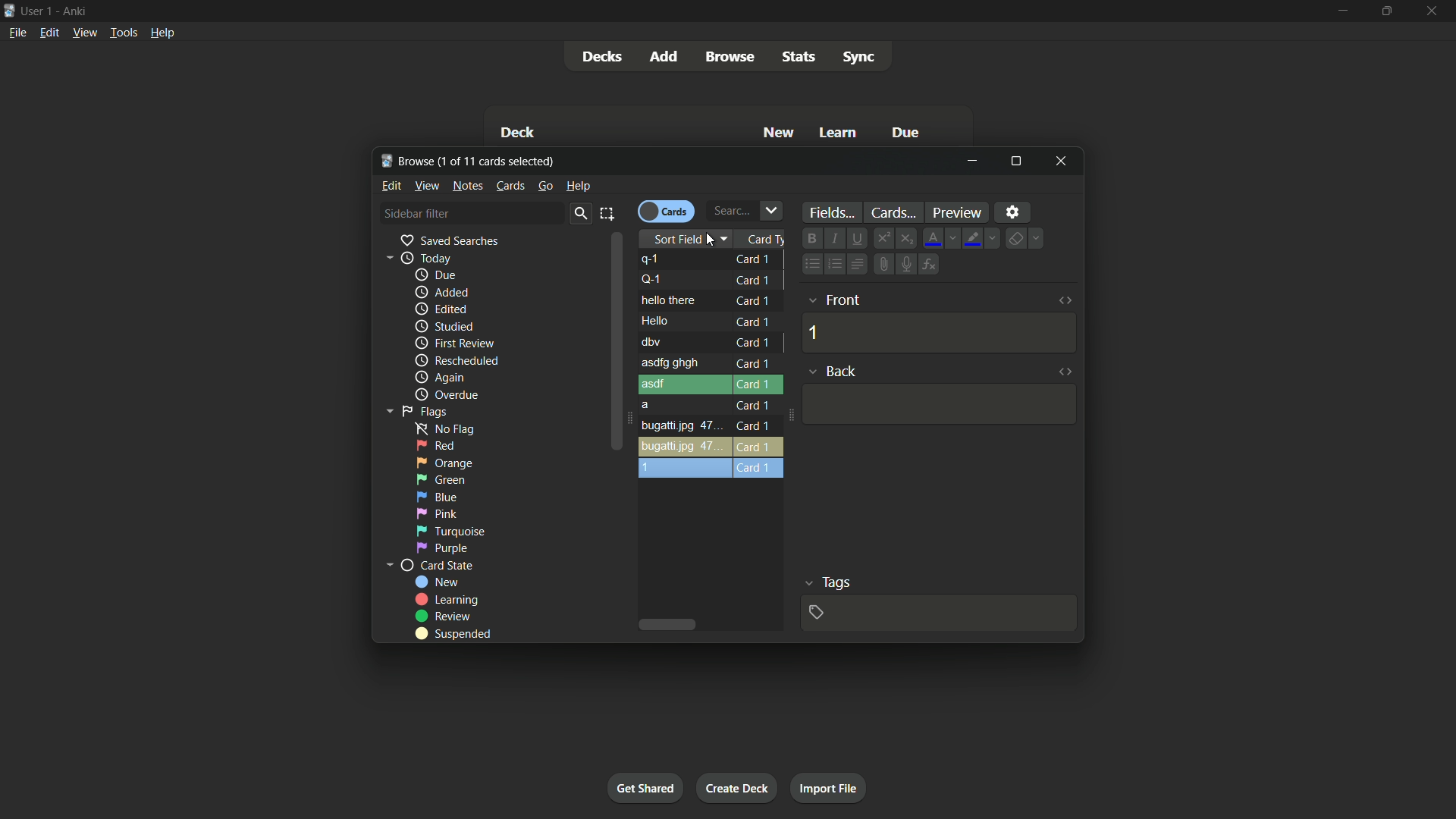  Describe the element at coordinates (882, 264) in the screenshot. I see `attach file` at that location.